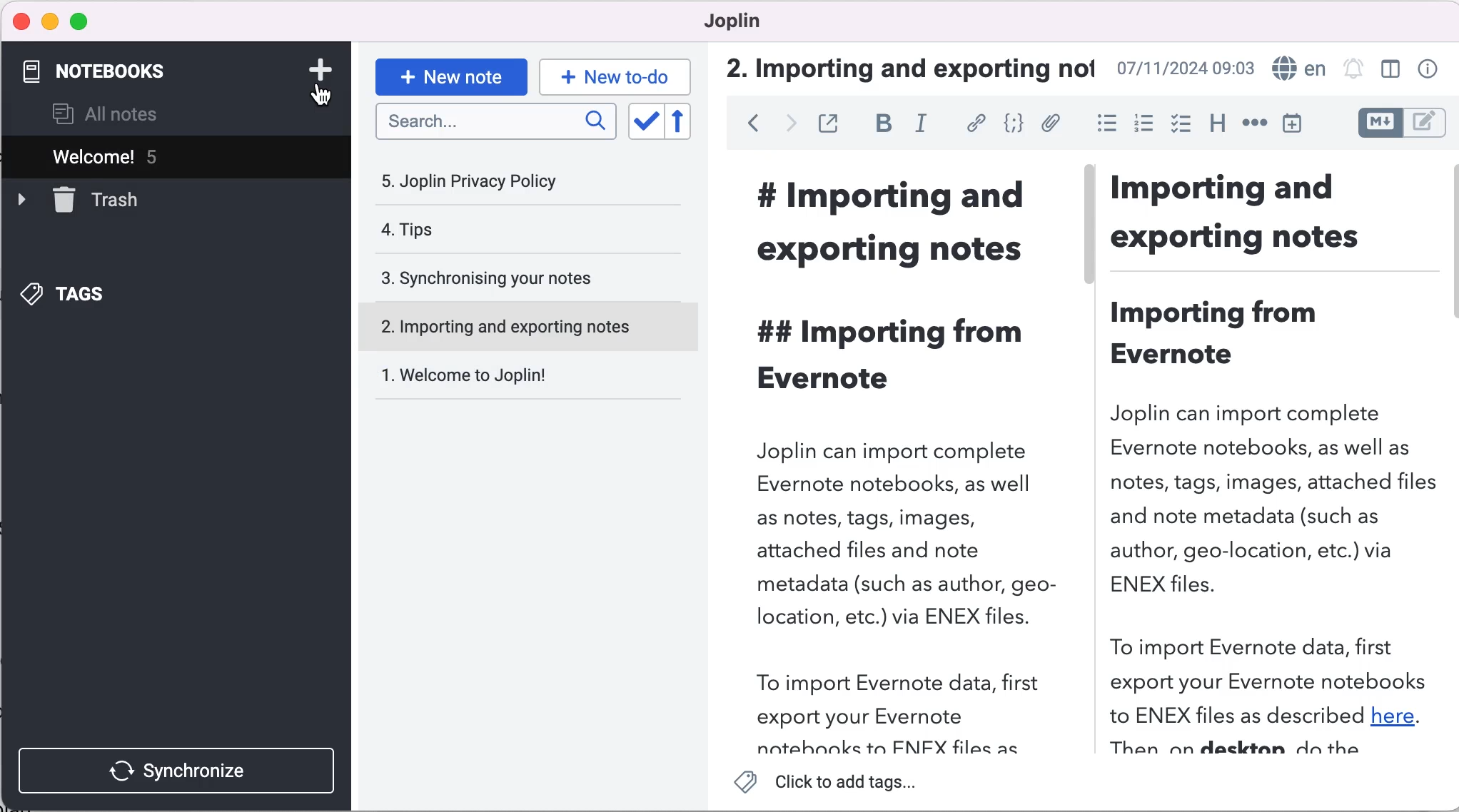 Image resolution: width=1459 pixels, height=812 pixels. I want to click on bulleted list, so click(1104, 124).